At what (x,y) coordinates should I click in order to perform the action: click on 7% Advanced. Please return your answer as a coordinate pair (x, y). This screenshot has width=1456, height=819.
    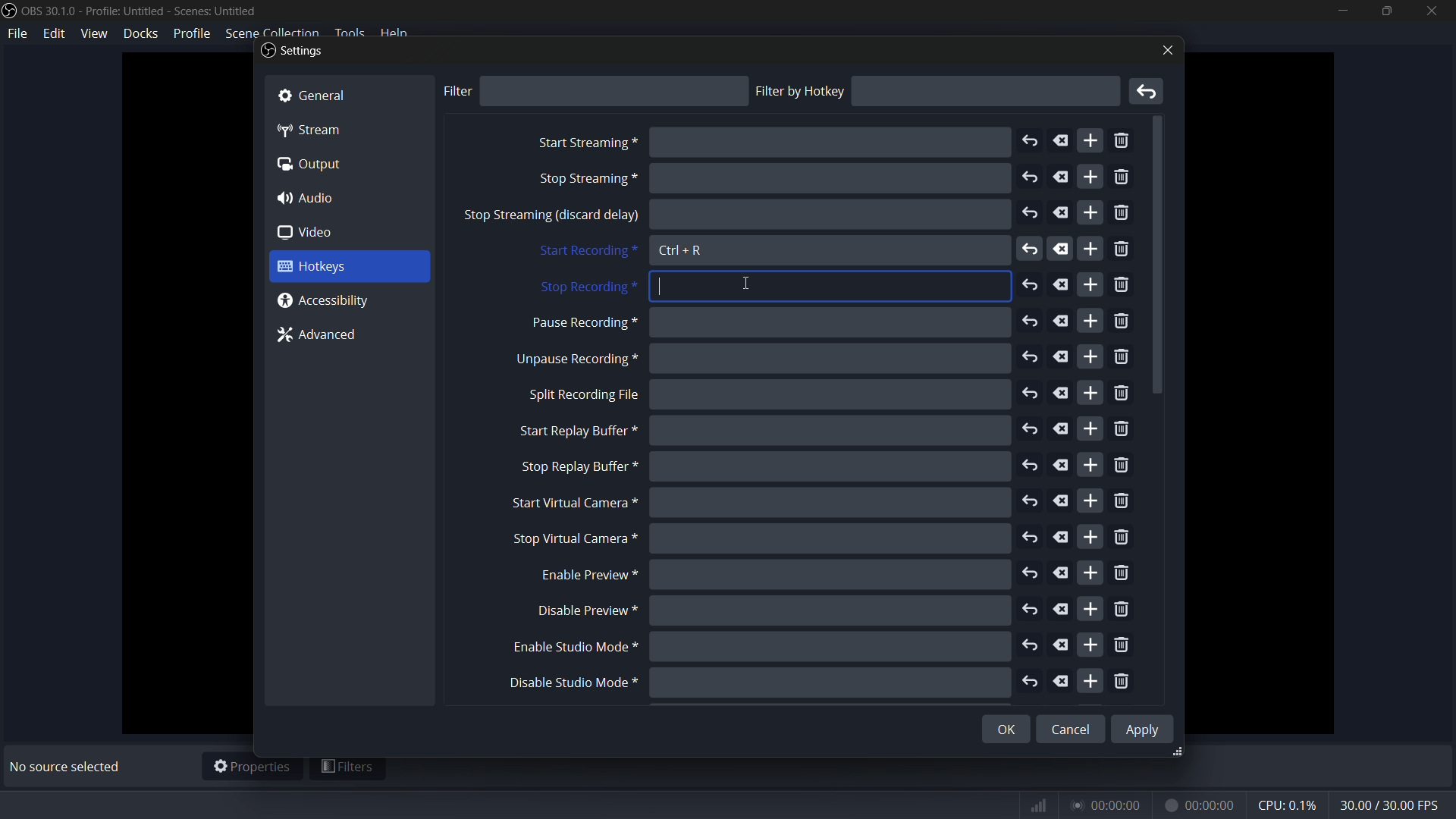
    Looking at the image, I should click on (324, 337).